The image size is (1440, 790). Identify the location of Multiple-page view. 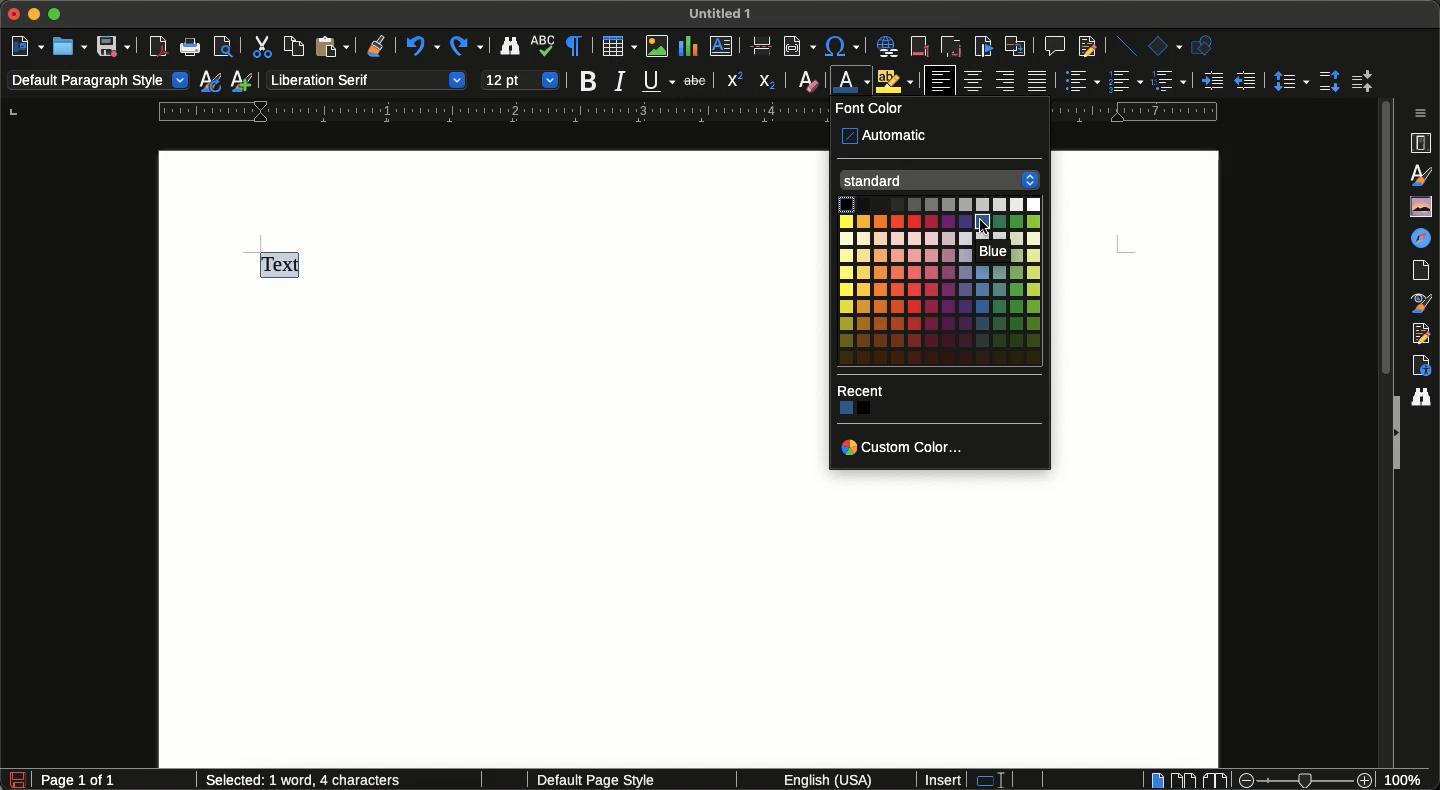
(1183, 779).